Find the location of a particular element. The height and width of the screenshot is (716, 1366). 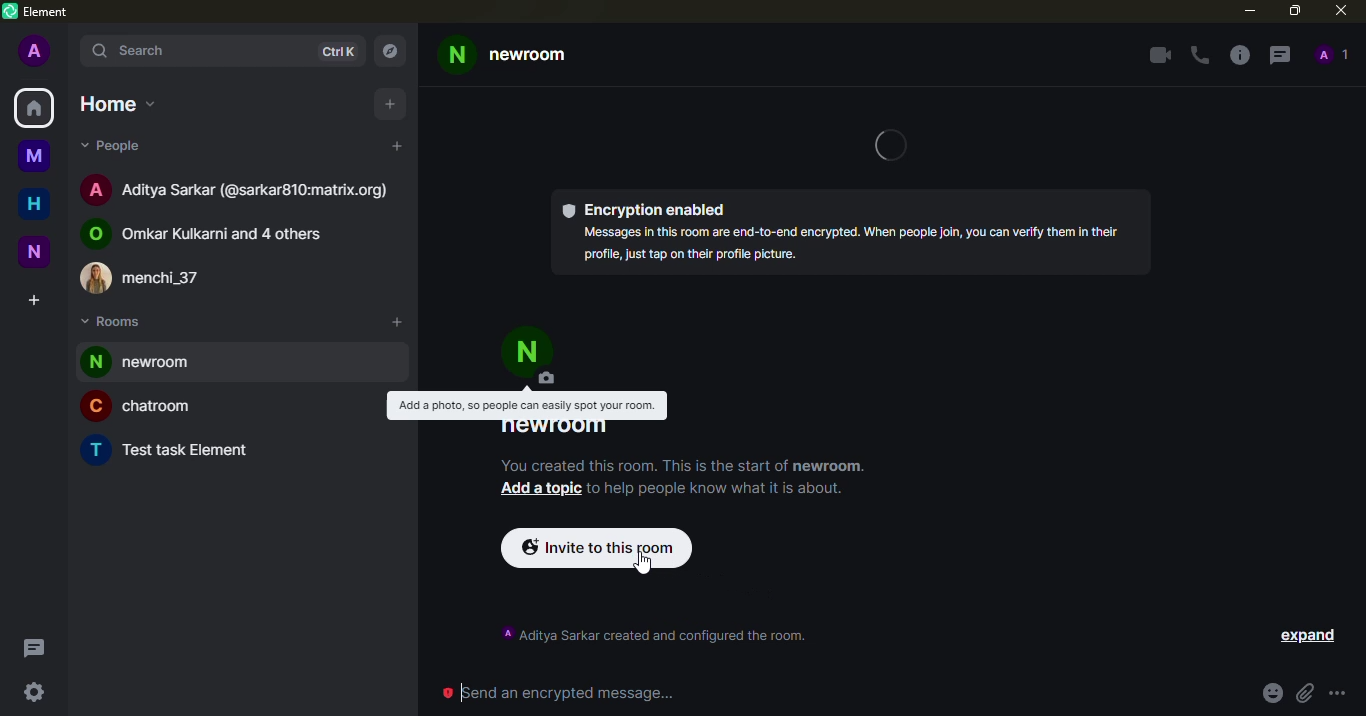

threads is located at coordinates (34, 647).